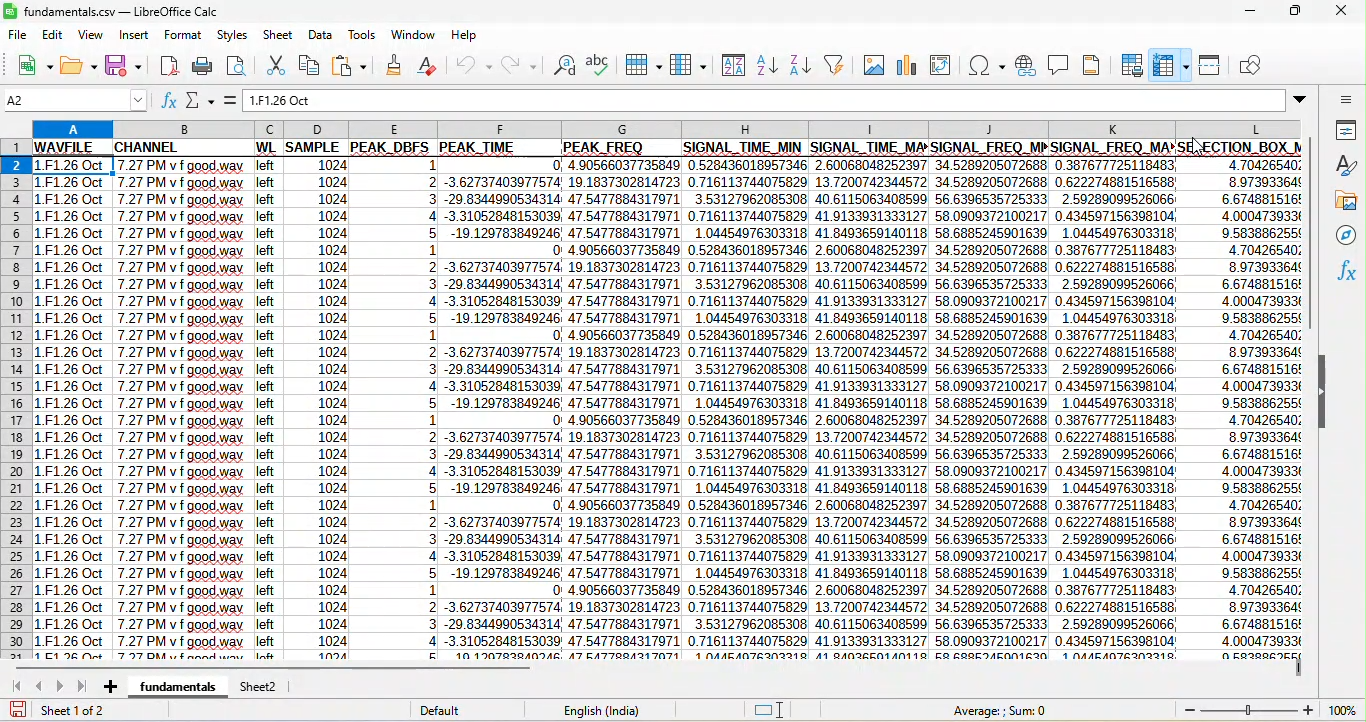 The image size is (1366, 722). I want to click on print, so click(205, 66).